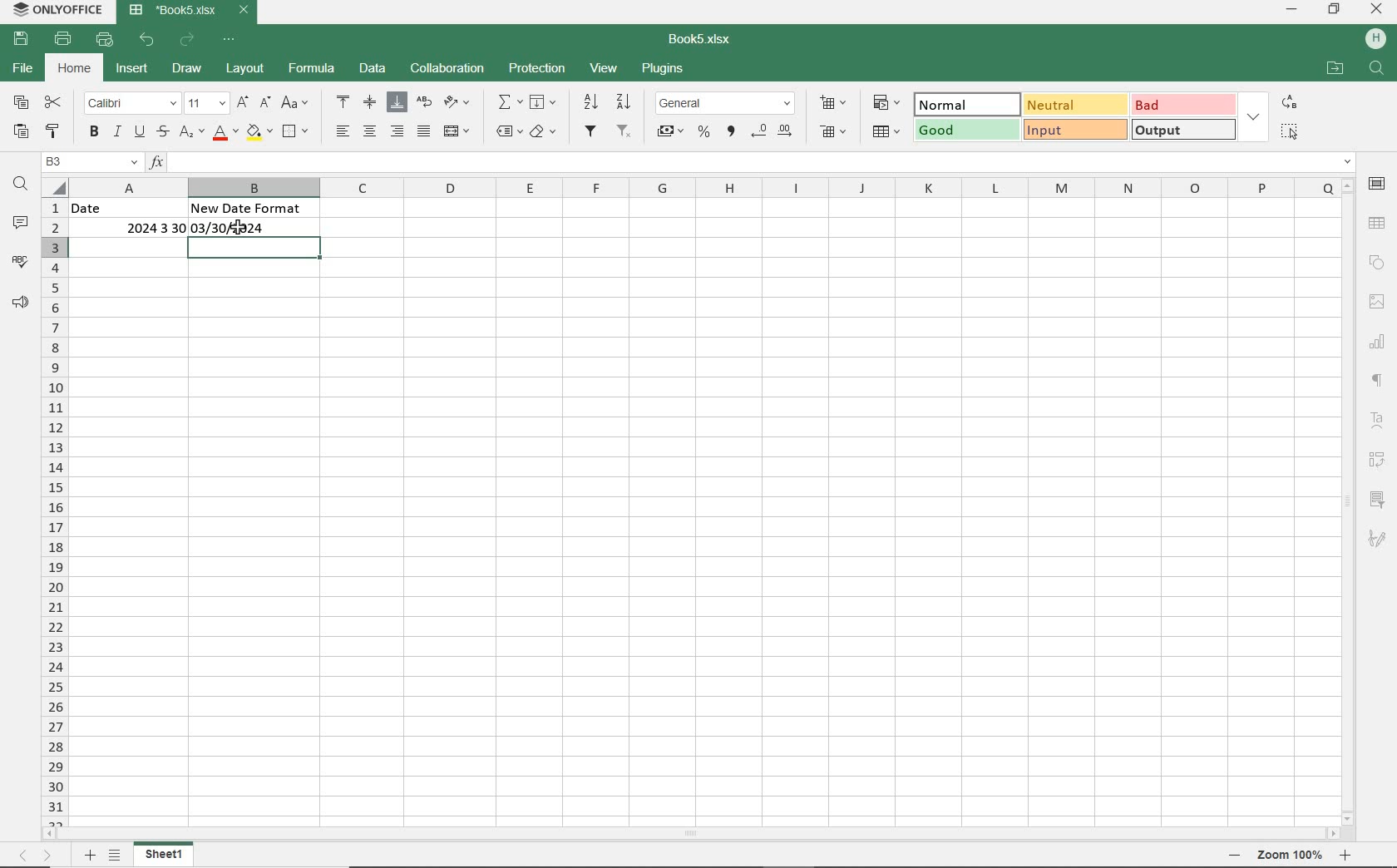 Image resolution: width=1397 pixels, height=868 pixels. What do you see at coordinates (730, 133) in the screenshot?
I see `COMMA STYLE` at bounding box center [730, 133].